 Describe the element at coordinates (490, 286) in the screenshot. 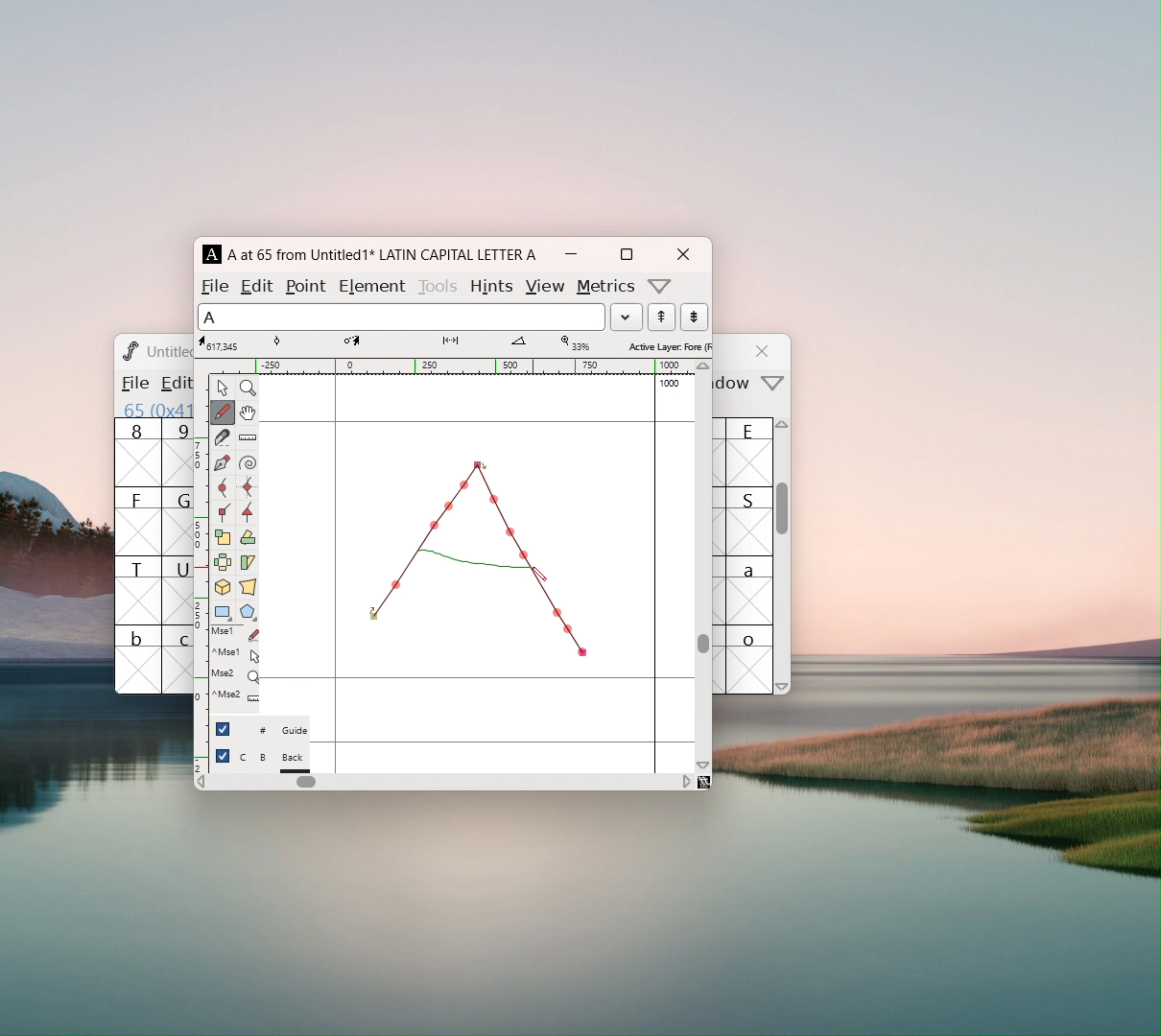

I see `hints` at that location.